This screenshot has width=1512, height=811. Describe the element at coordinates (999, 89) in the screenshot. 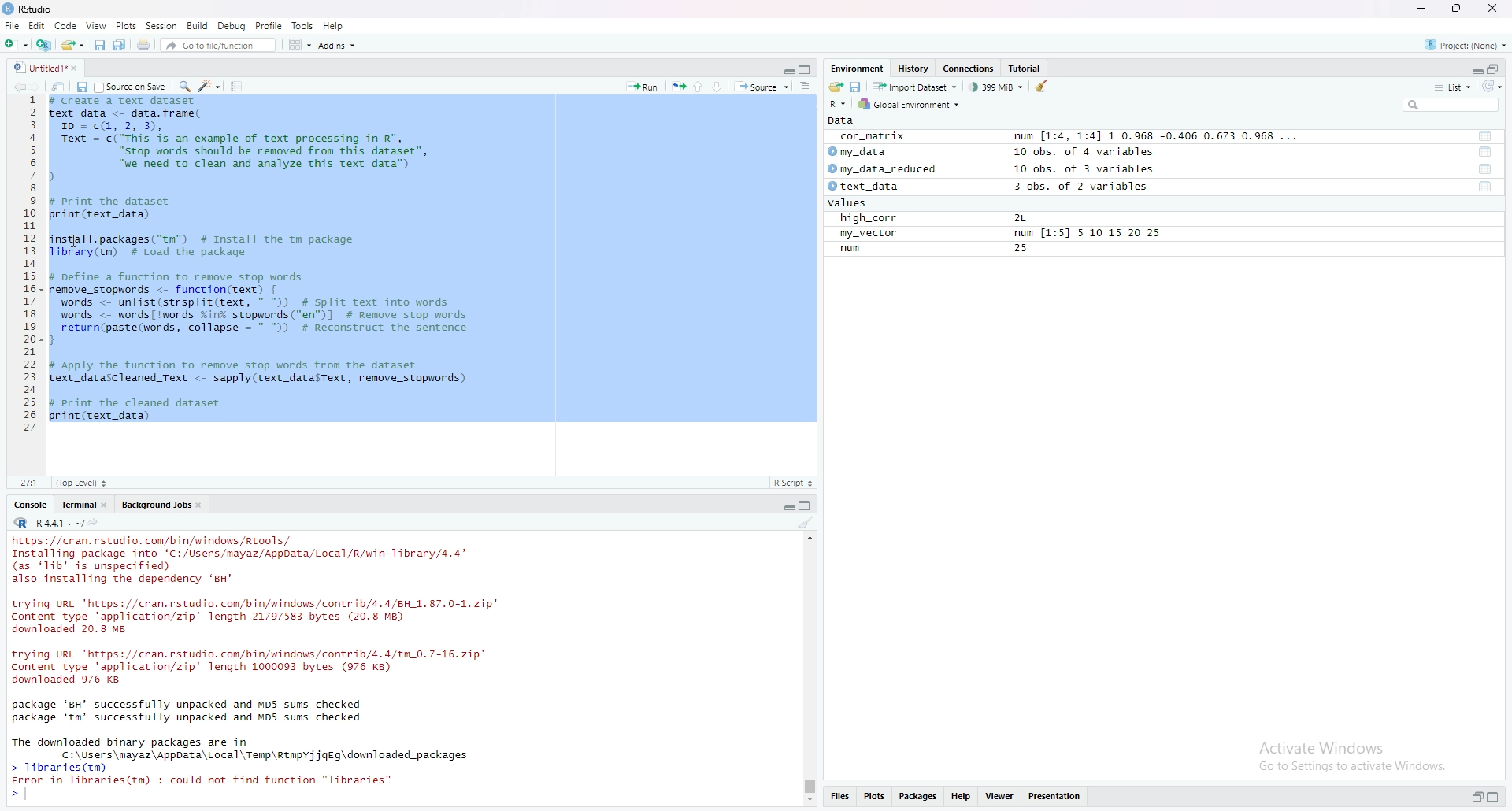

I see `399MB` at that location.